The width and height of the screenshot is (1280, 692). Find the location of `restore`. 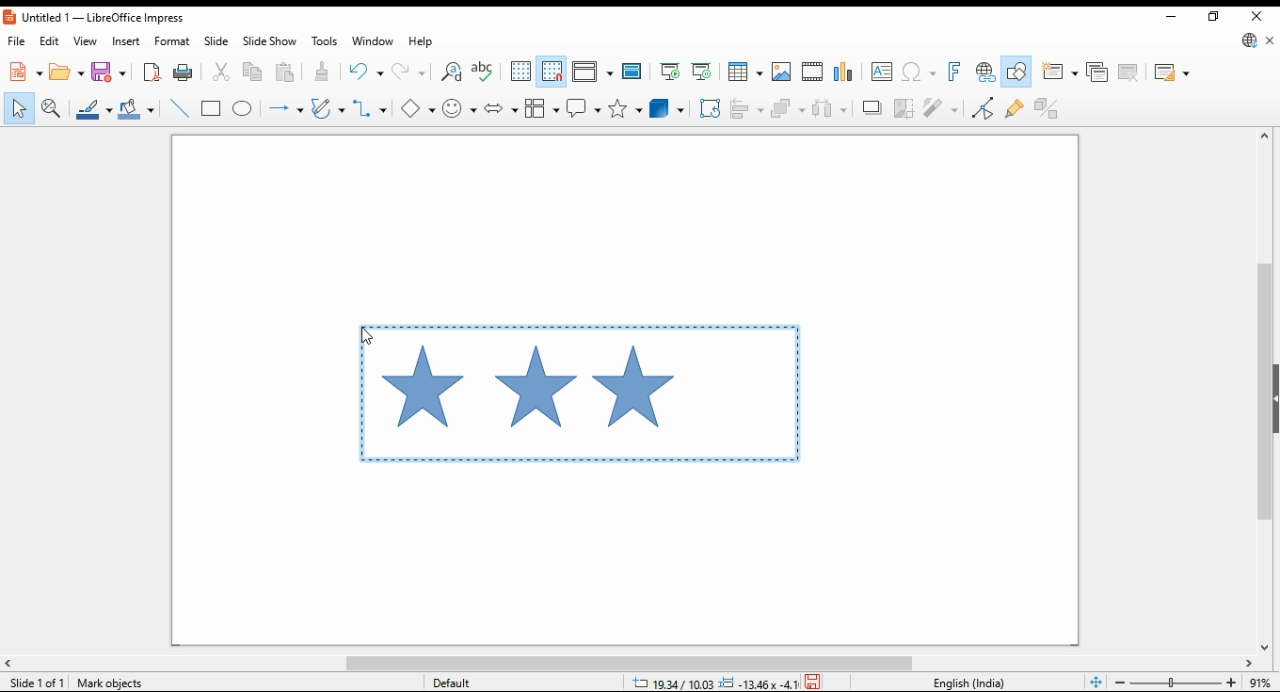

restore is located at coordinates (1215, 17).